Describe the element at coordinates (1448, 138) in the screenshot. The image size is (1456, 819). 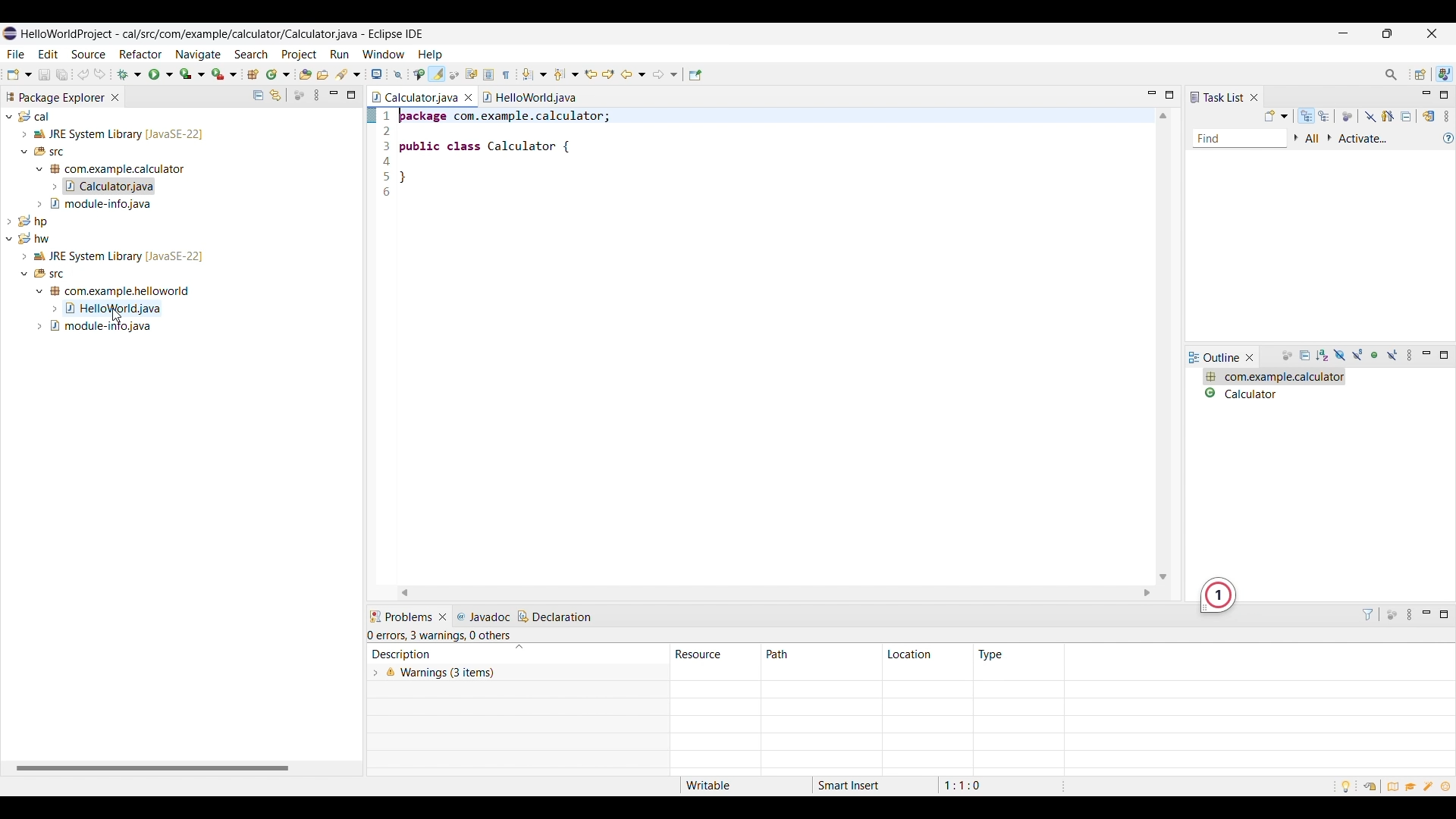
I see `Show tasks UI legend` at that location.